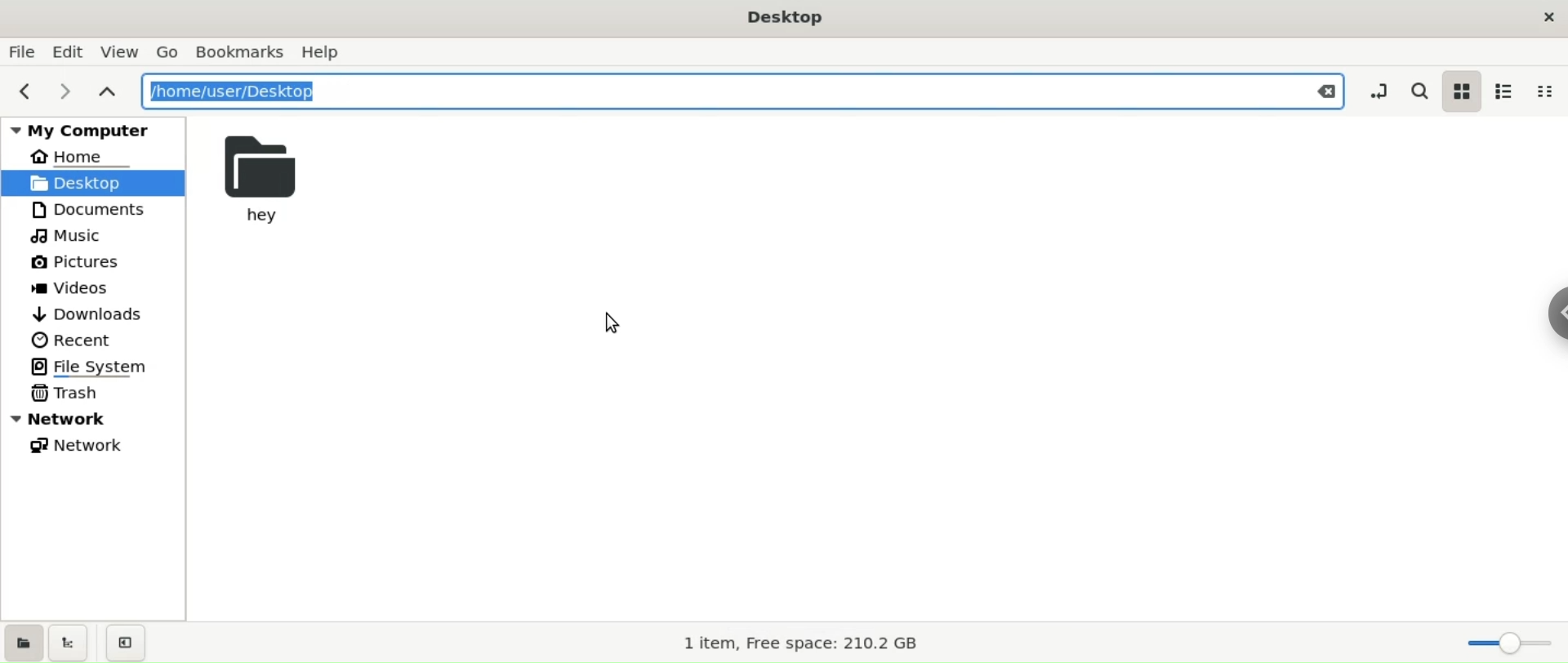 This screenshot has width=1568, height=663. Describe the element at coordinates (1548, 20) in the screenshot. I see `close` at that location.